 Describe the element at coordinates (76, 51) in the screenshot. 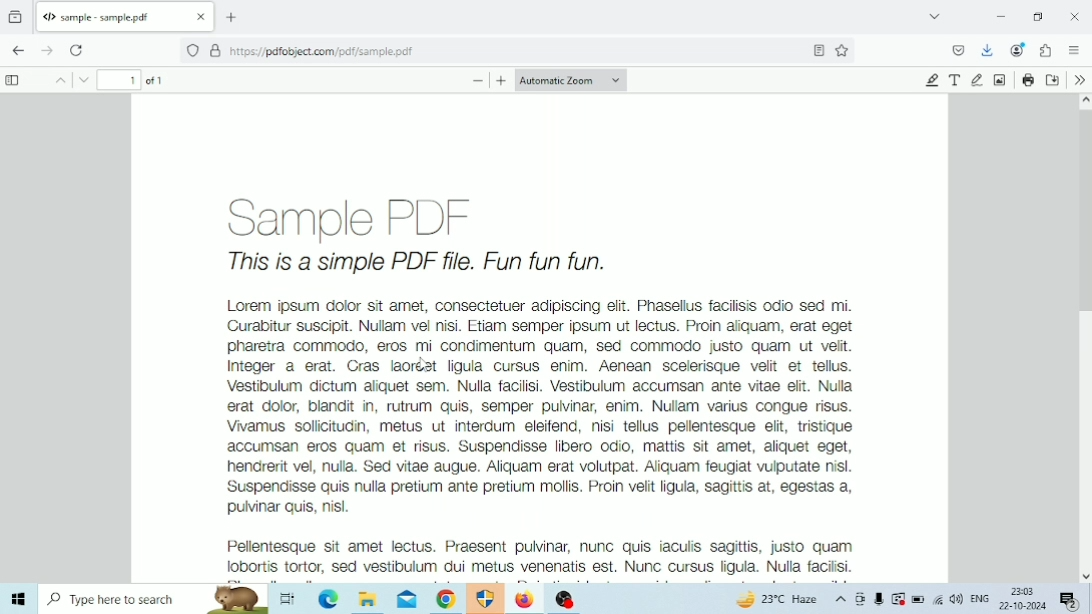

I see `Reload current page` at that location.